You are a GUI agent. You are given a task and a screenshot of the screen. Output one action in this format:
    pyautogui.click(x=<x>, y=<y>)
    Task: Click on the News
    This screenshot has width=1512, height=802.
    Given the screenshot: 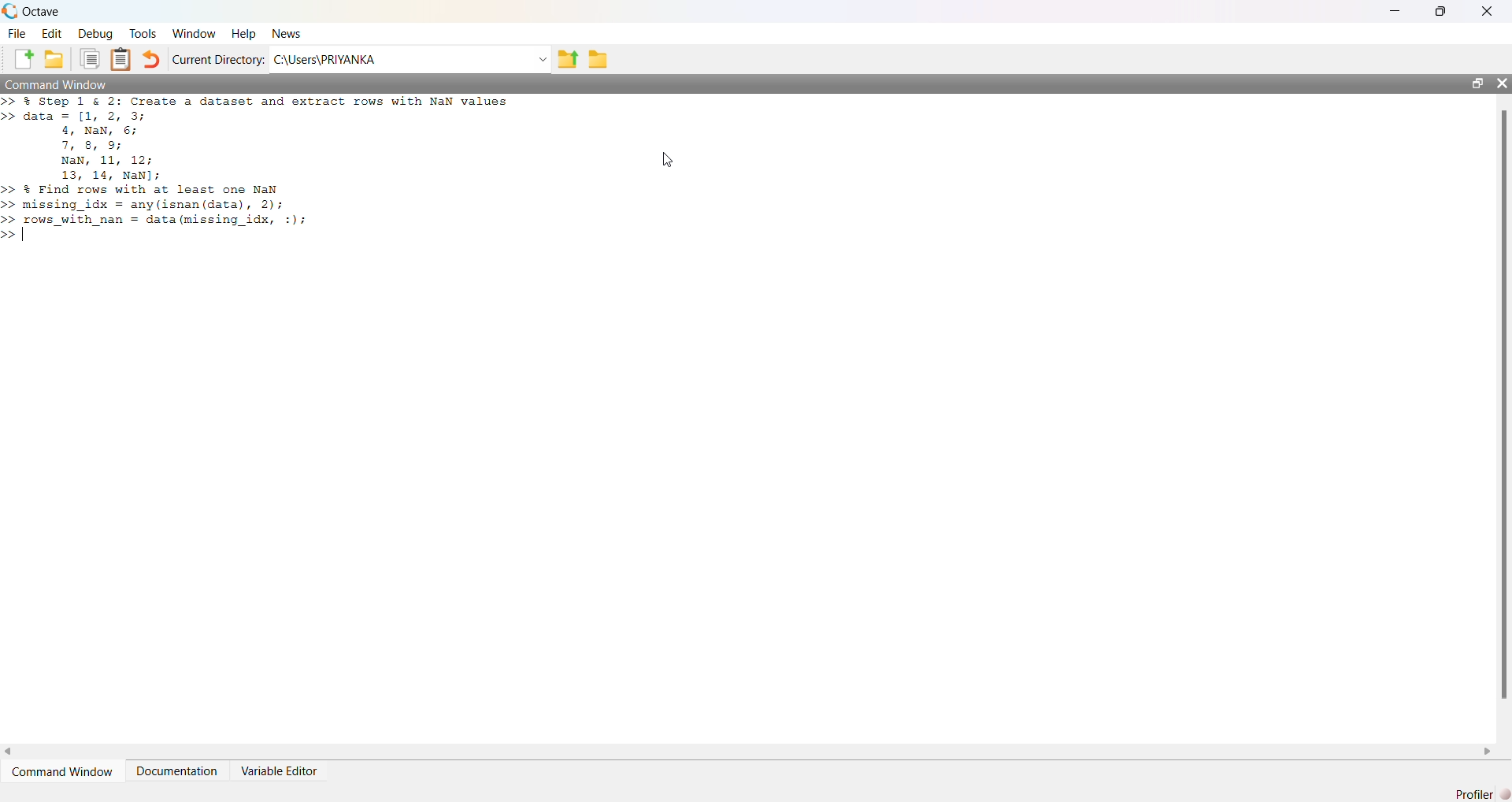 What is the action you would take?
    pyautogui.click(x=288, y=33)
    